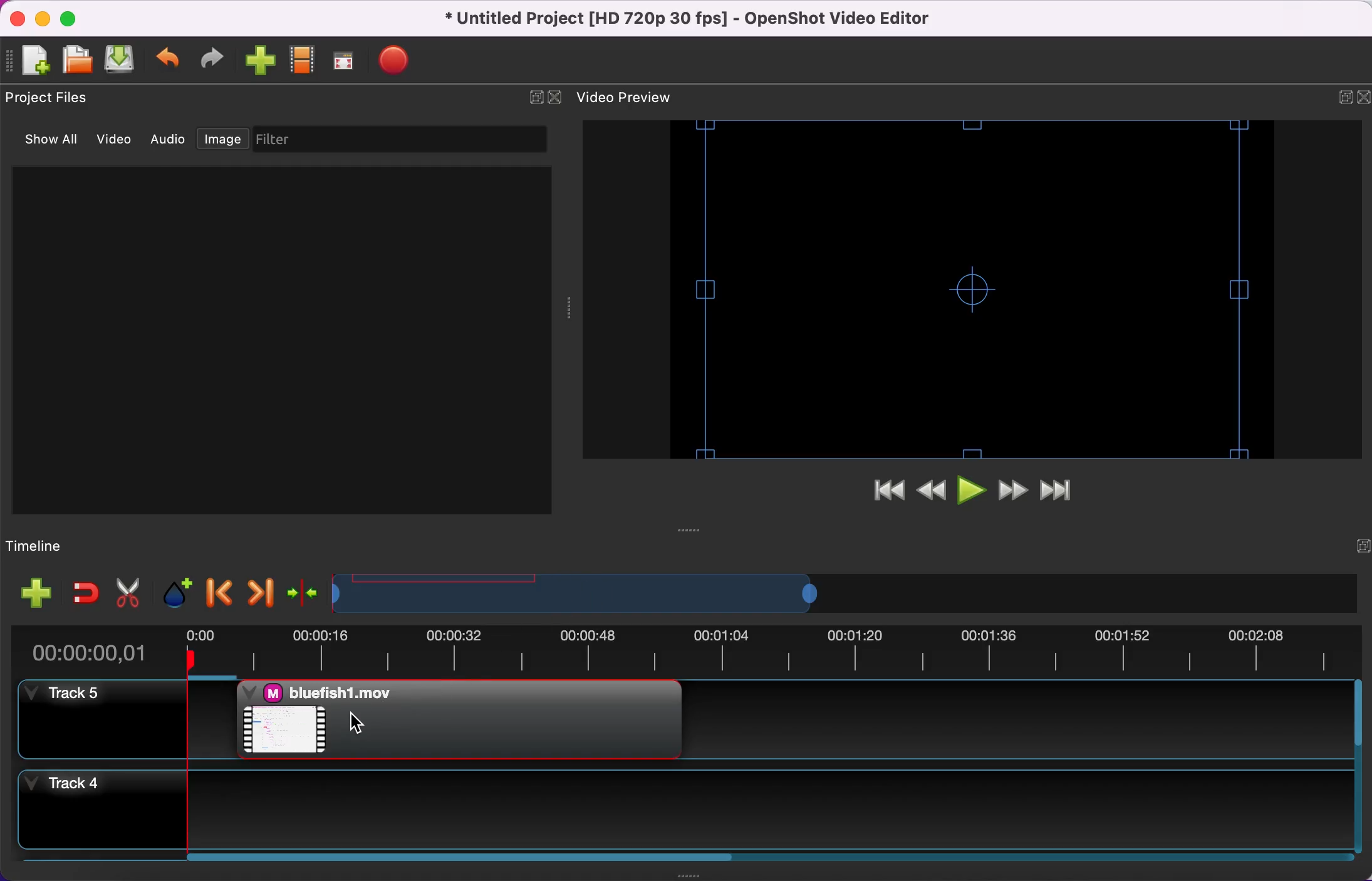 This screenshot has height=881, width=1372. I want to click on minimize, so click(44, 18).